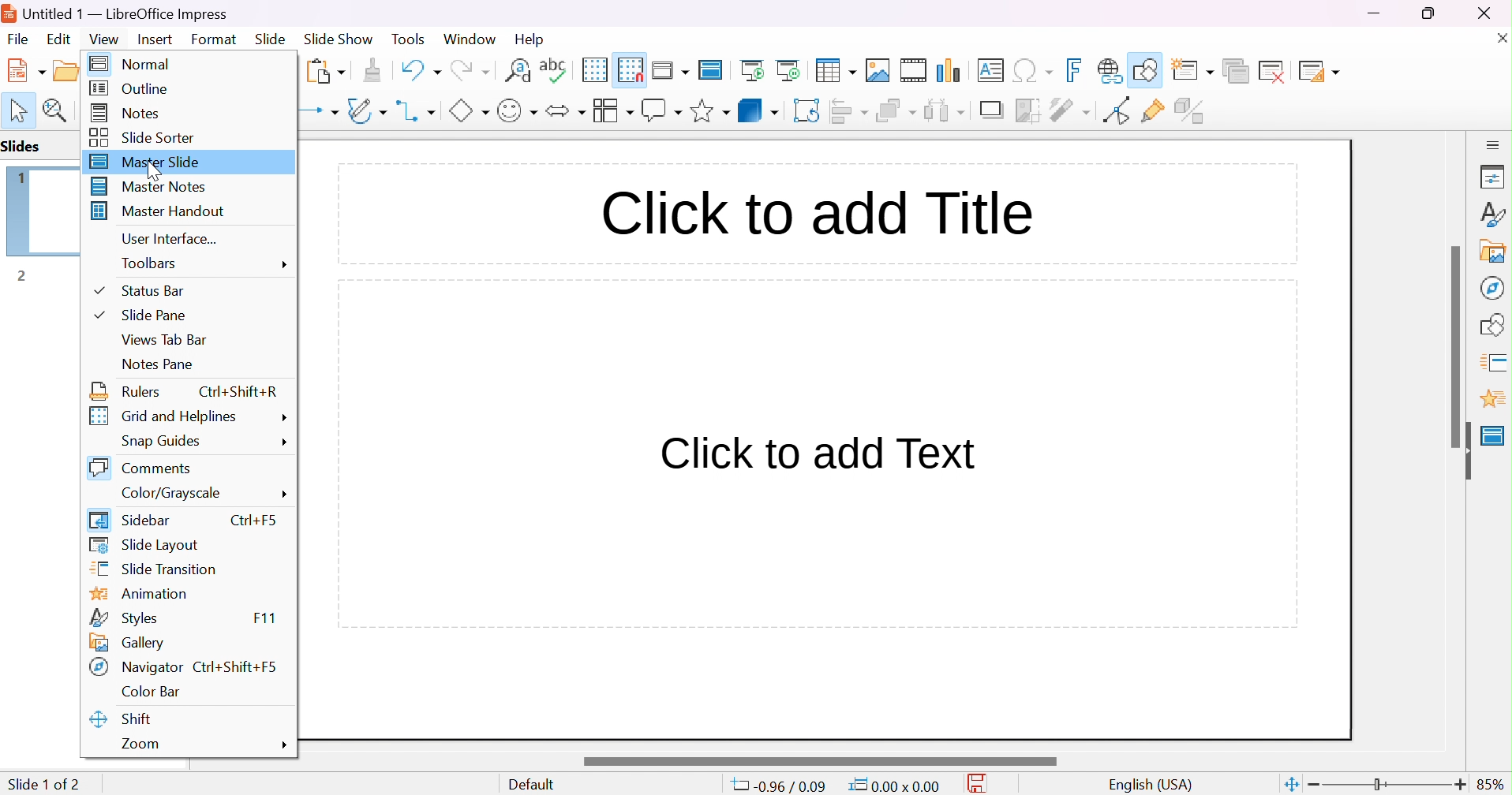  What do you see at coordinates (285, 495) in the screenshot?
I see `more` at bounding box center [285, 495].